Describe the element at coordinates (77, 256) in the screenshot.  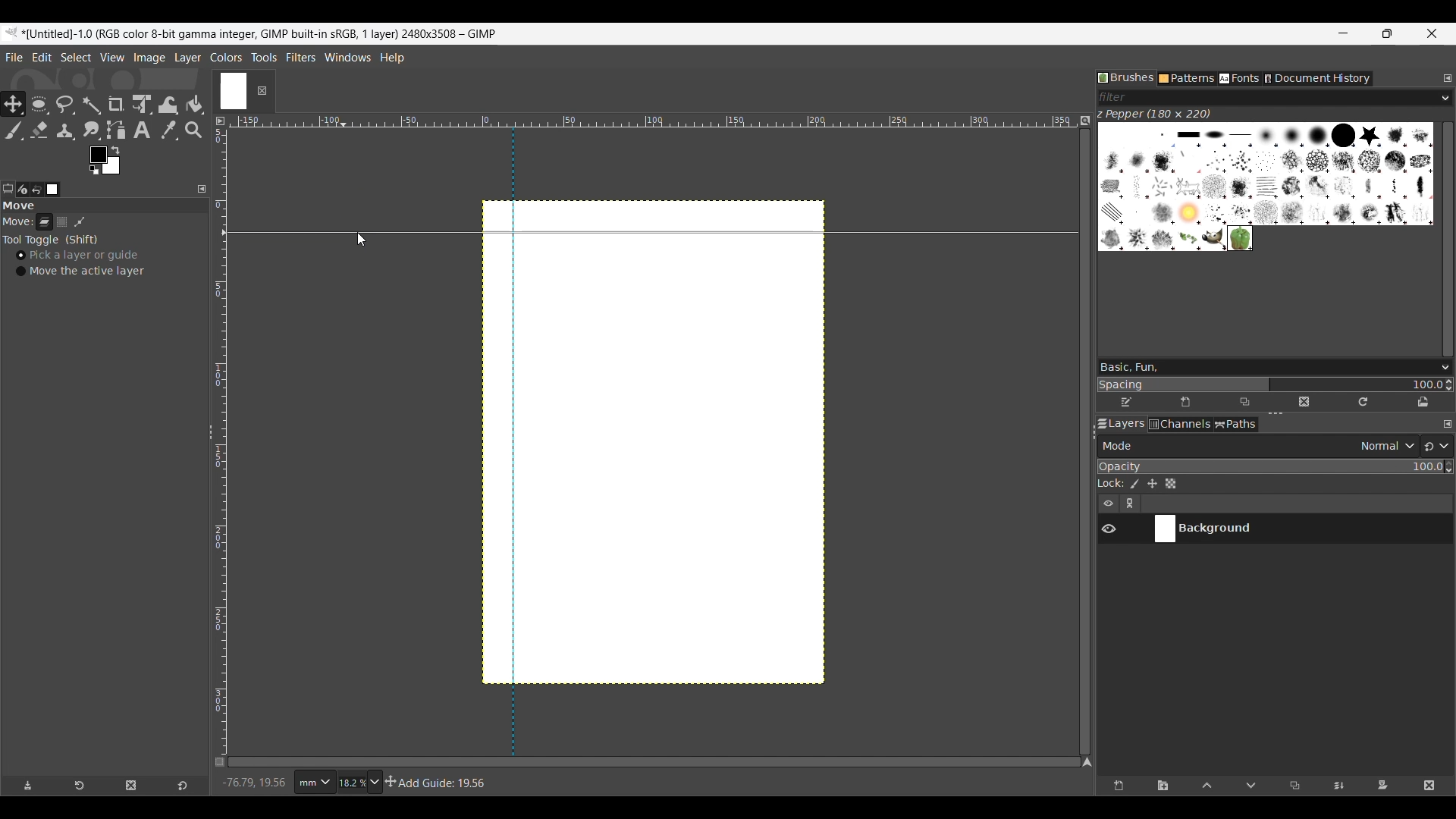
I see `Pick a layer or guide, toggle on` at that location.